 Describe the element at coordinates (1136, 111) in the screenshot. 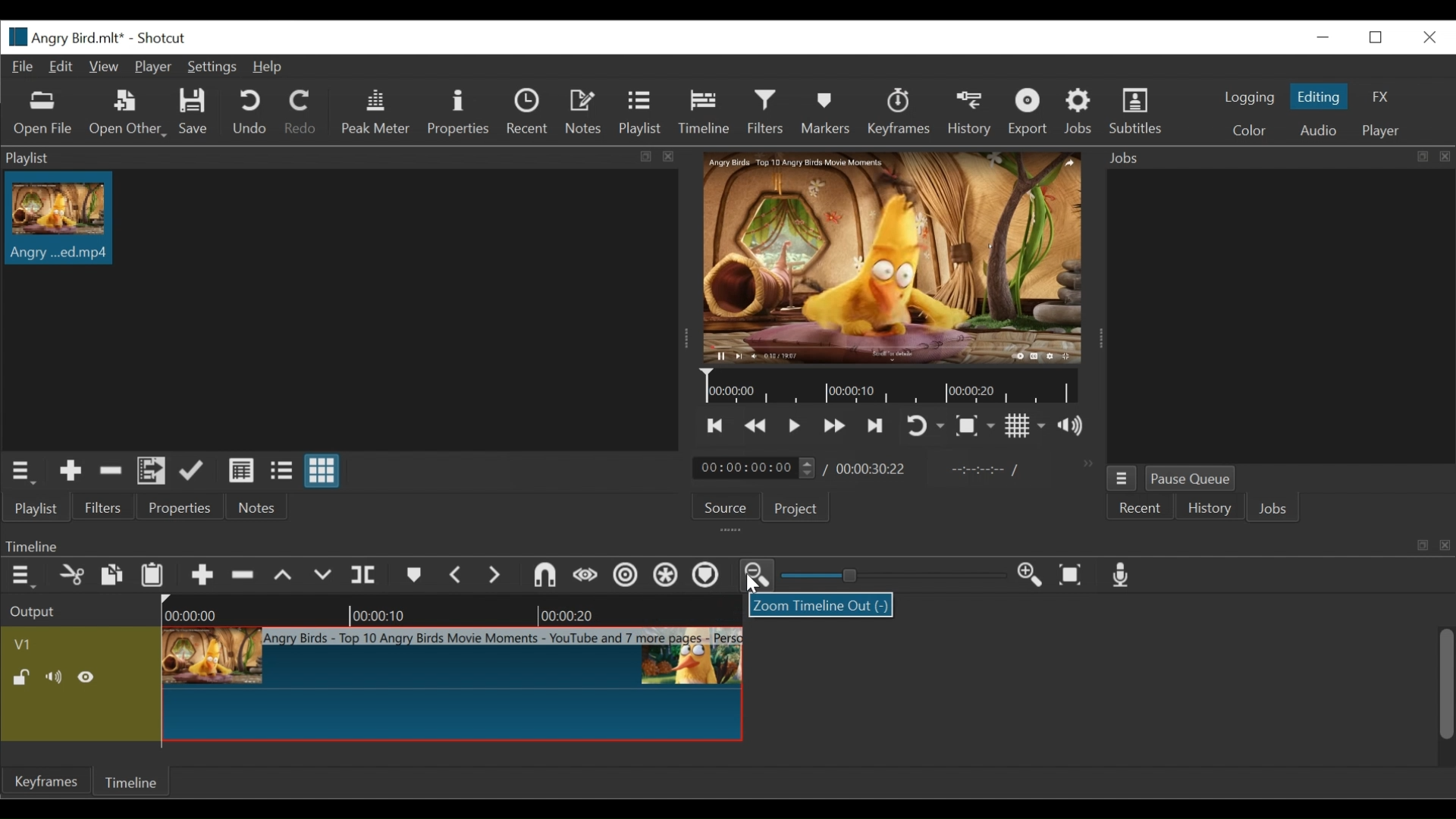

I see `Subtitles` at that location.